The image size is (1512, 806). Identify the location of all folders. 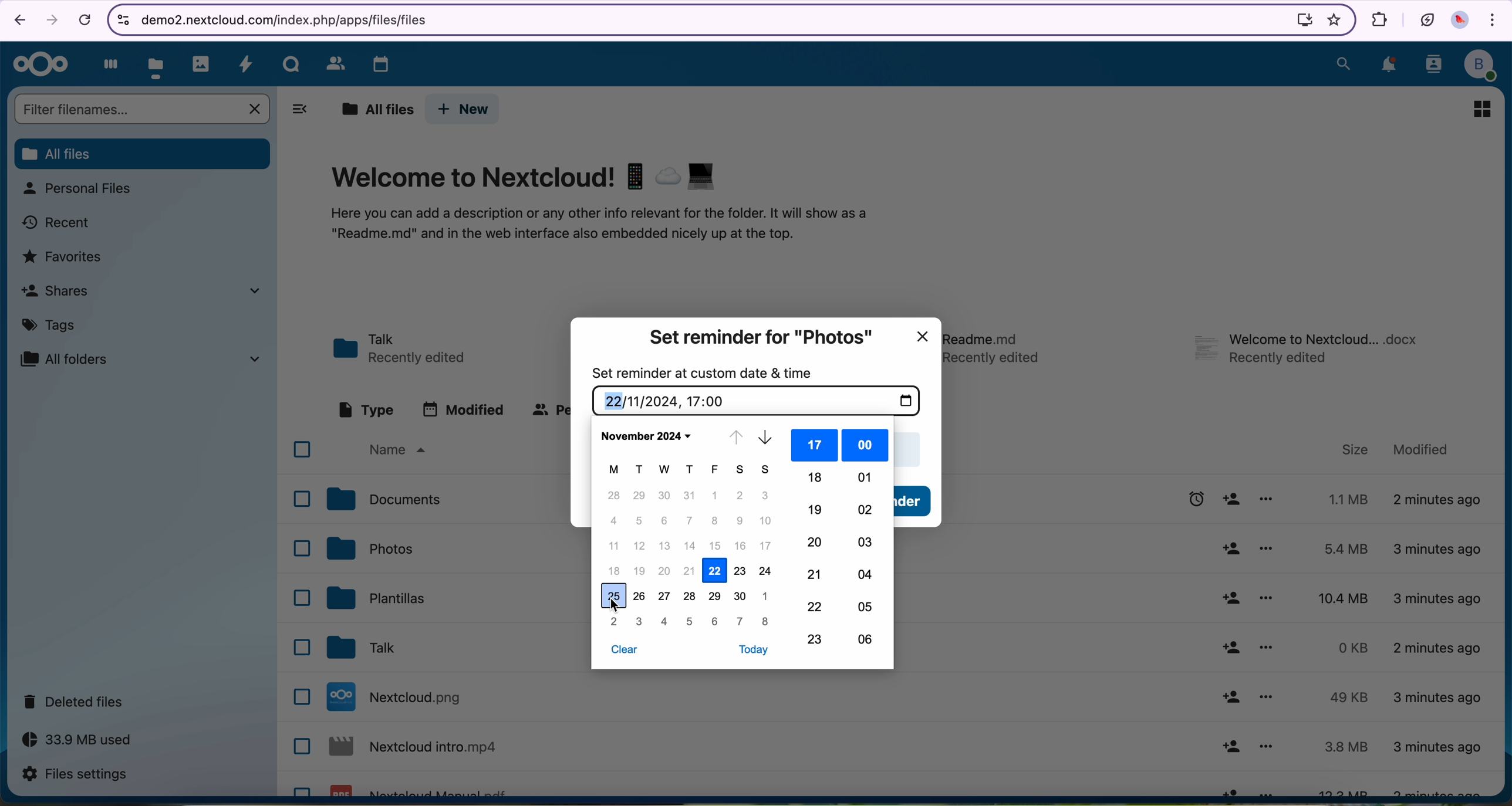
(146, 358).